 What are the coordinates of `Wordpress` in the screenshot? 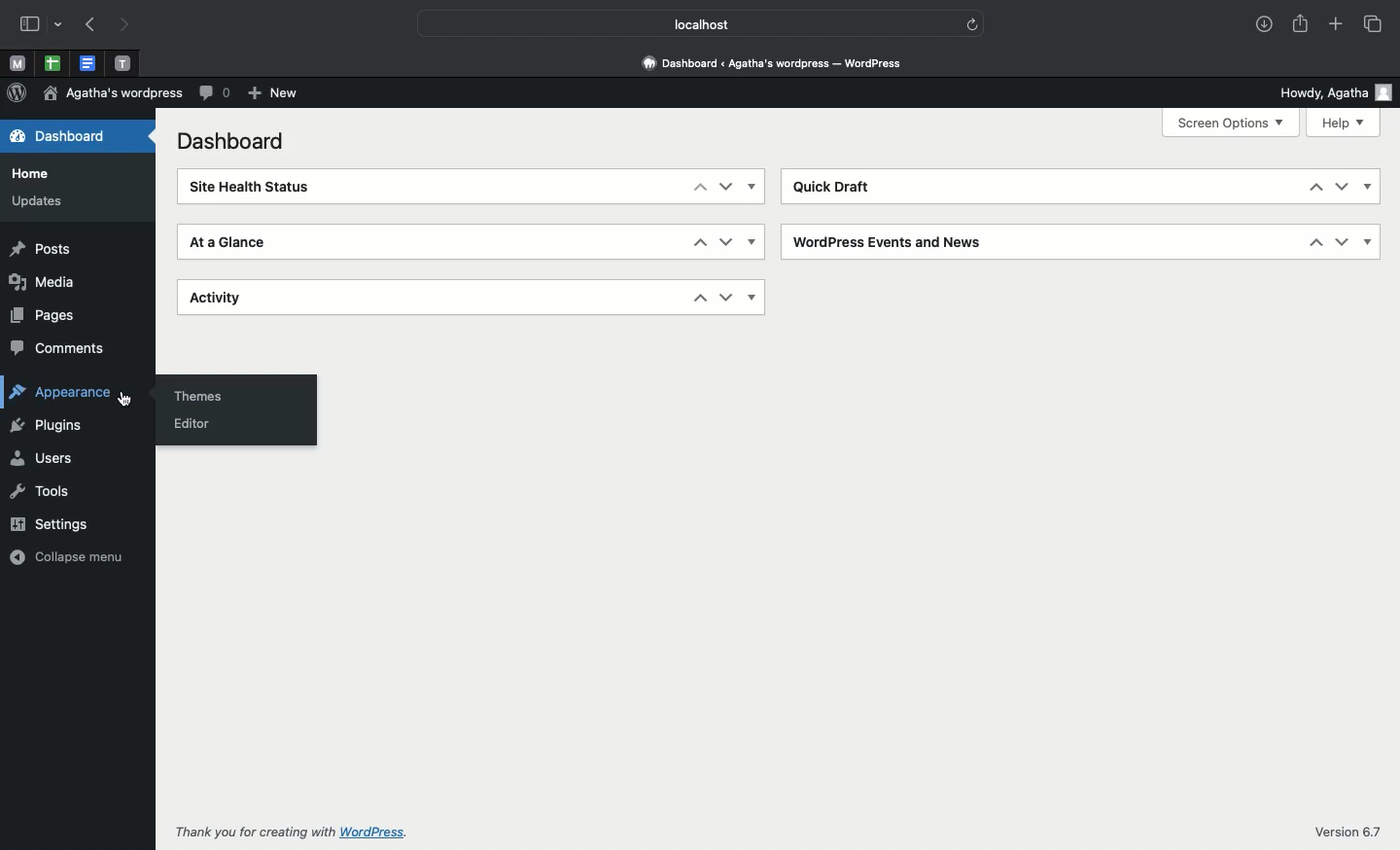 It's located at (17, 93).